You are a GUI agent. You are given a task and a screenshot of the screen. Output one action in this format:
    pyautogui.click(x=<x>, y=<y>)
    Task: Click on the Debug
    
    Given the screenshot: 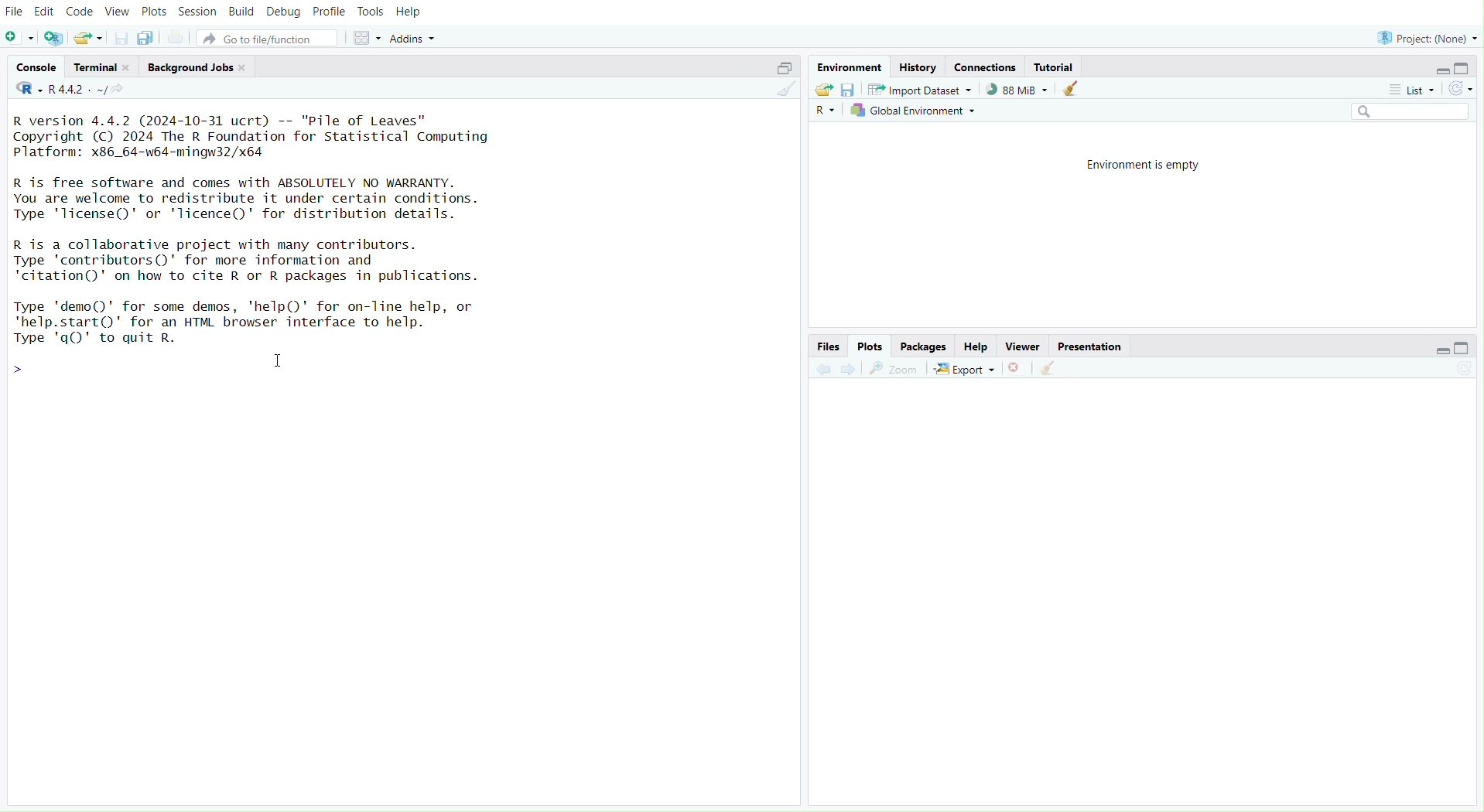 What is the action you would take?
    pyautogui.click(x=283, y=14)
    